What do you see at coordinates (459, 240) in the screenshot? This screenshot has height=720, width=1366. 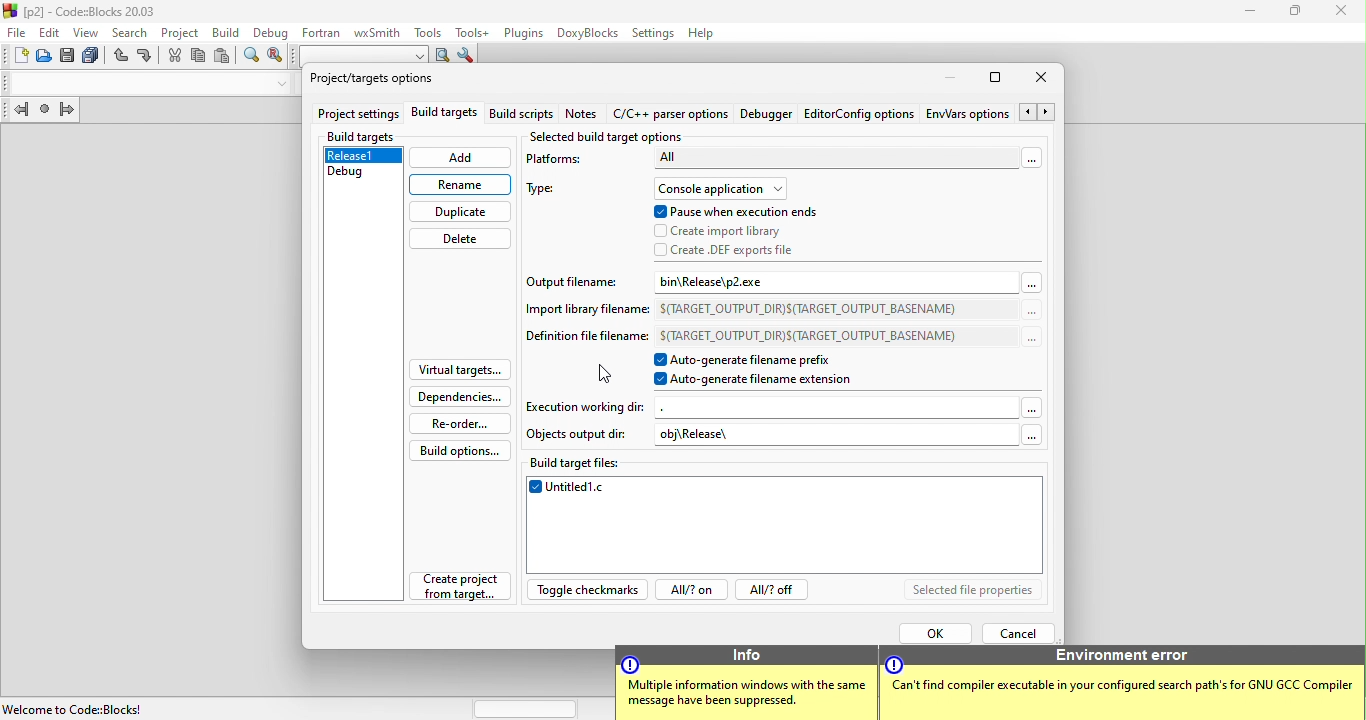 I see `delete` at bounding box center [459, 240].